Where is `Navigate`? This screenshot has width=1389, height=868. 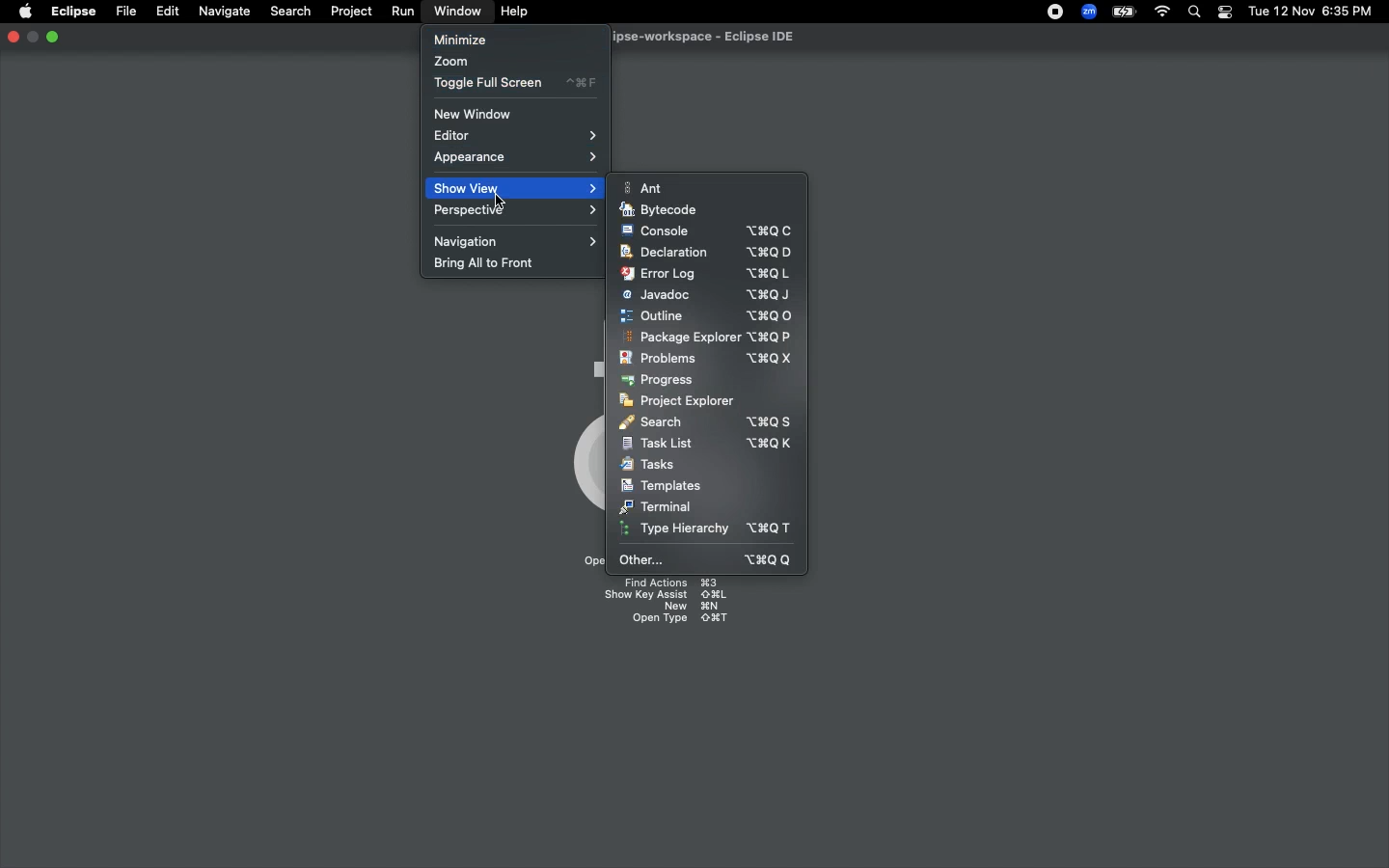
Navigate is located at coordinates (226, 12).